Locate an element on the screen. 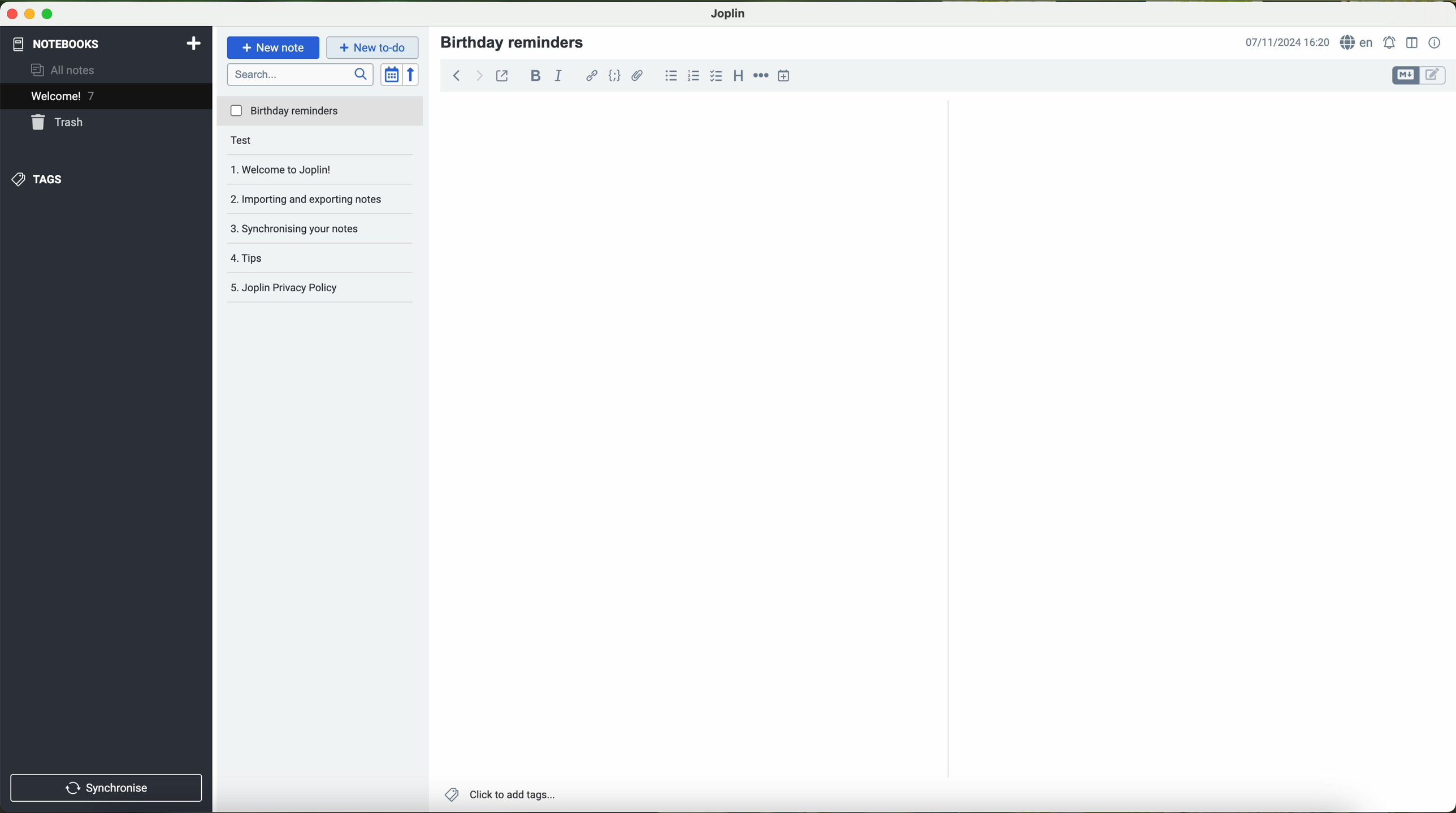 The width and height of the screenshot is (1456, 813). search bar is located at coordinates (300, 76).